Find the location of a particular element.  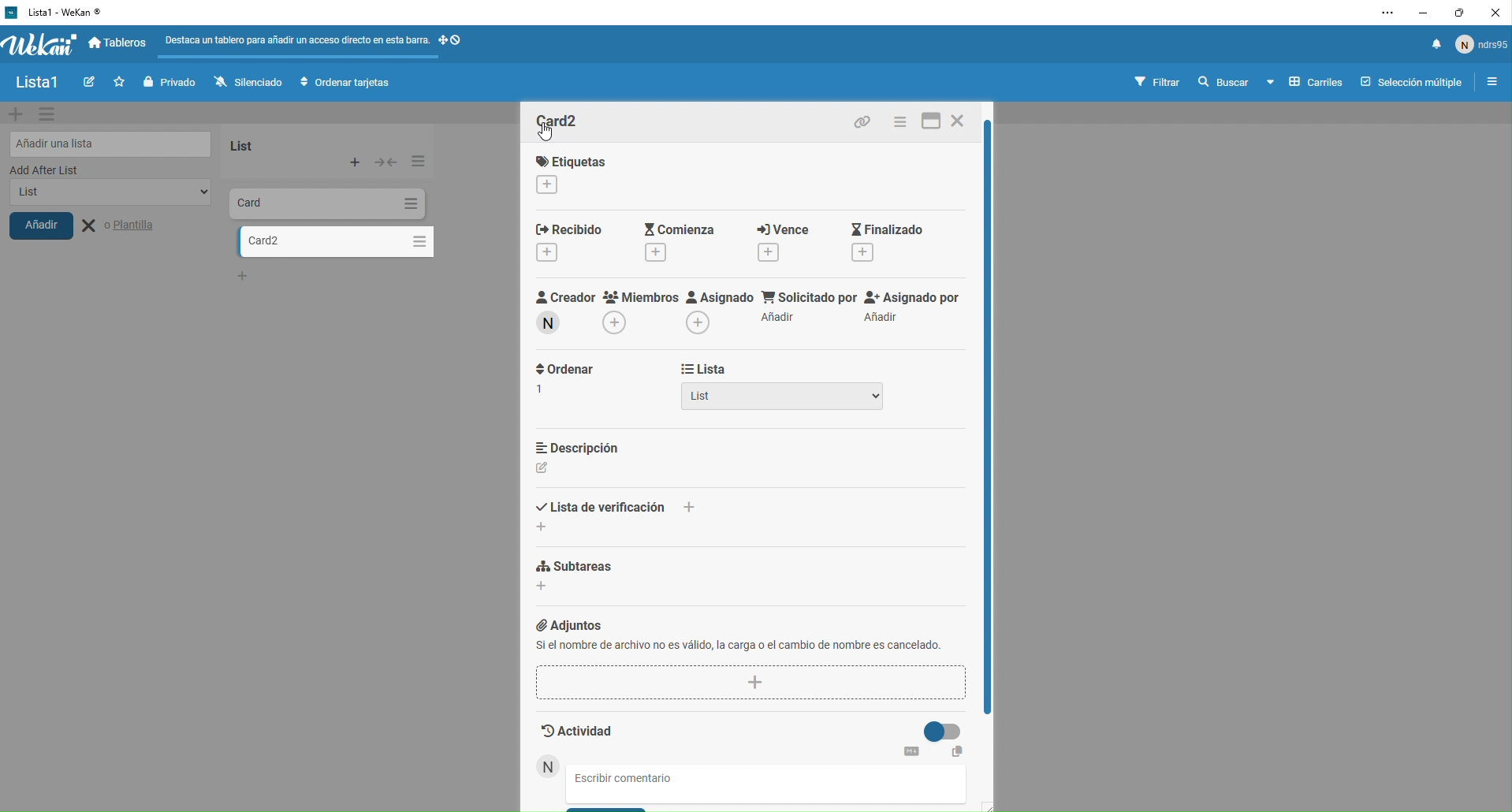

ordernar is located at coordinates (565, 390).